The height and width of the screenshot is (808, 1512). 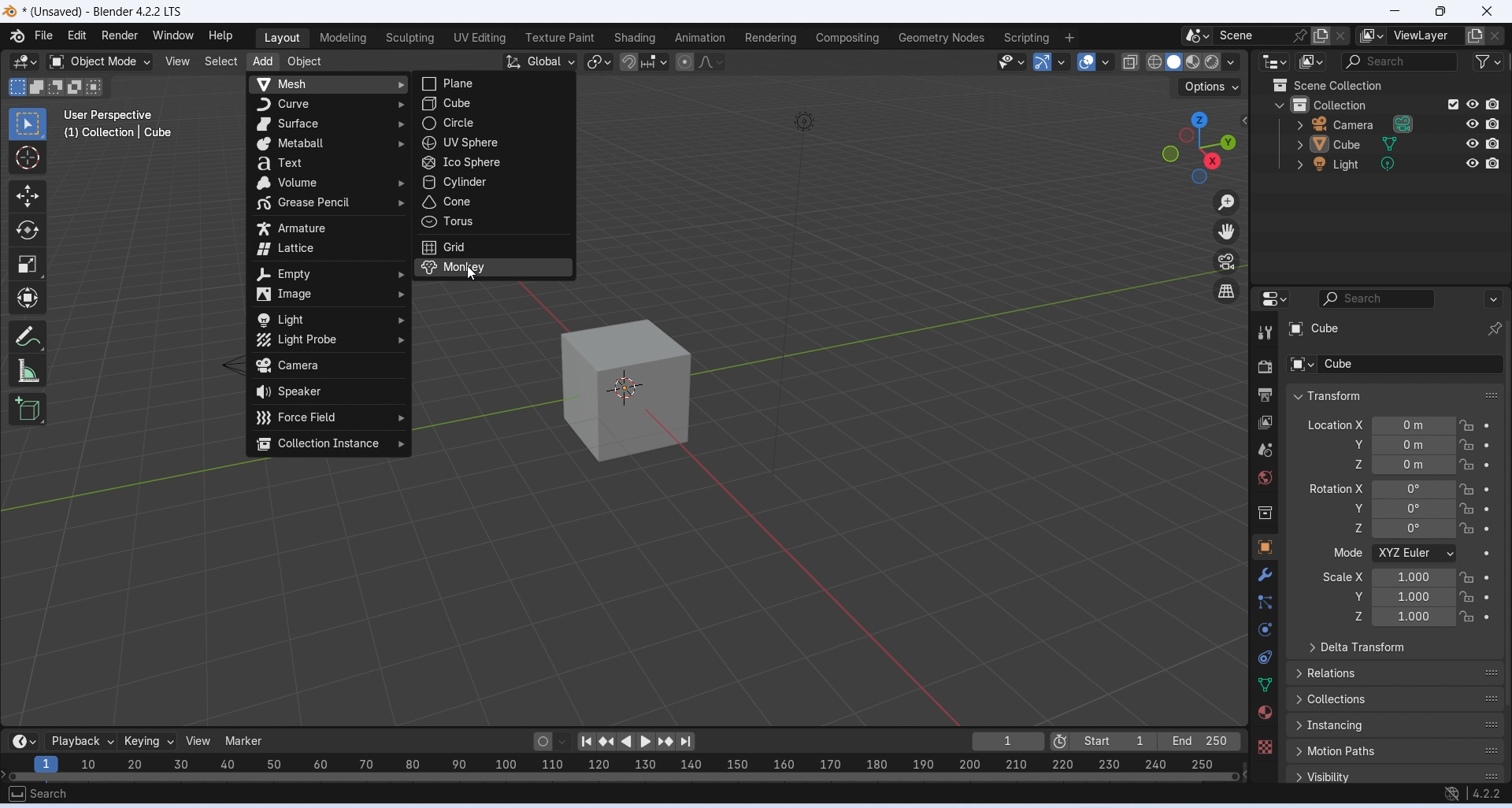 I want to click on lattice, so click(x=330, y=250).